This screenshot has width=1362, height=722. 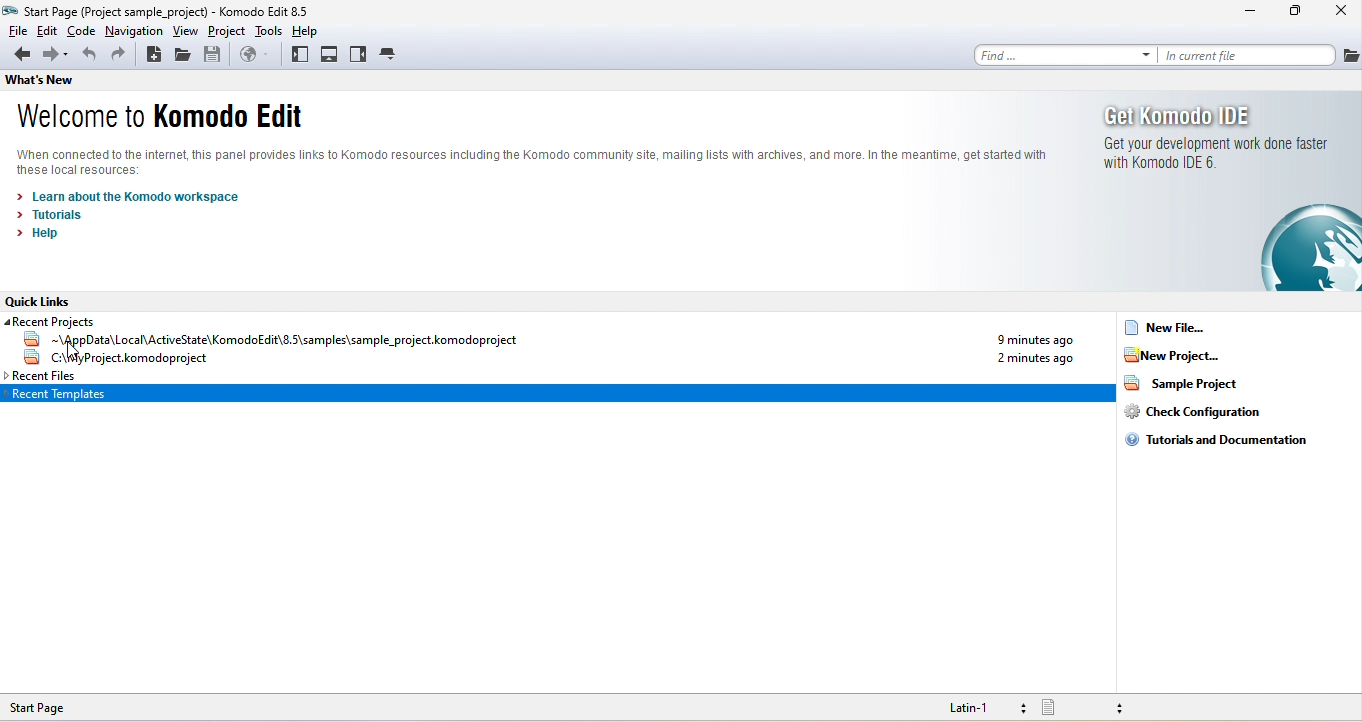 What do you see at coordinates (361, 54) in the screenshot?
I see `right pane` at bounding box center [361, 54].